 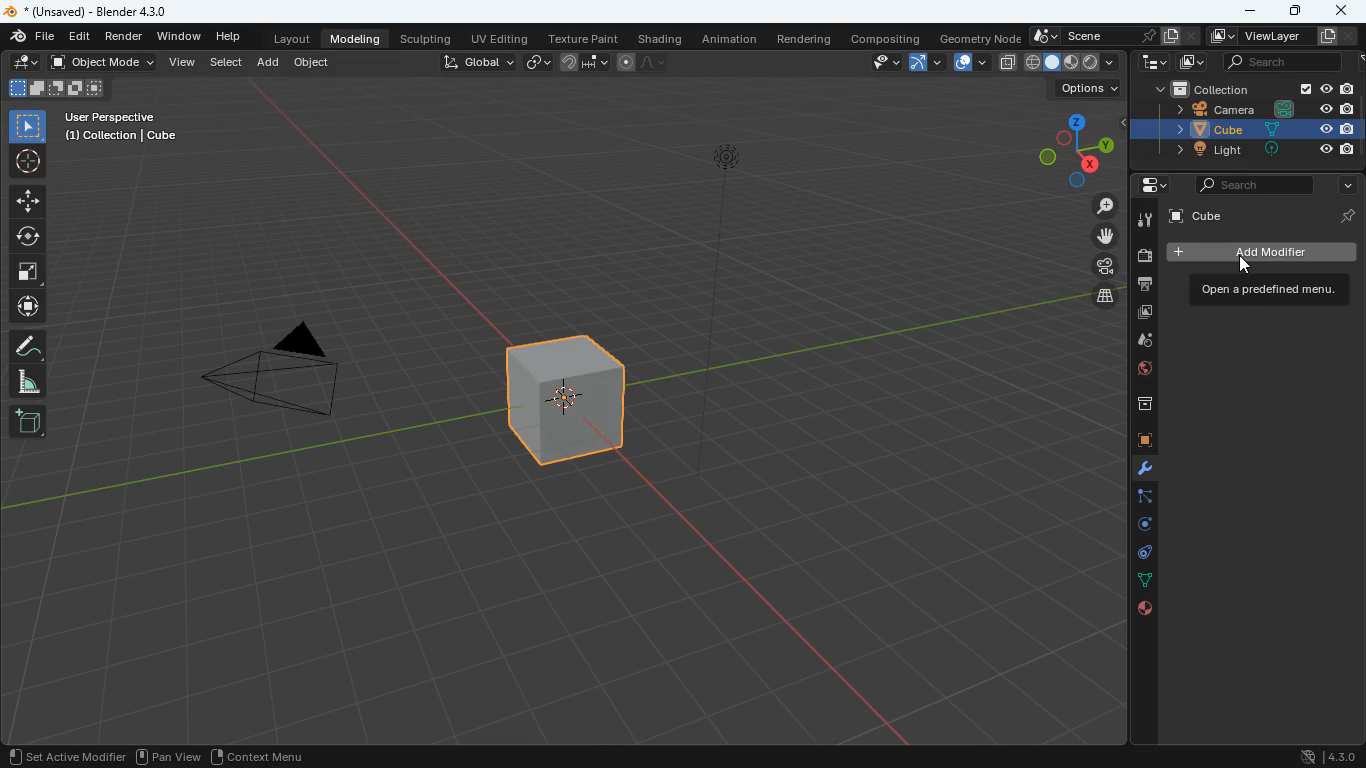 What do you see at coordinates (478, 62) in the screenshot?
I see `global` at bounding box center [478, 62].